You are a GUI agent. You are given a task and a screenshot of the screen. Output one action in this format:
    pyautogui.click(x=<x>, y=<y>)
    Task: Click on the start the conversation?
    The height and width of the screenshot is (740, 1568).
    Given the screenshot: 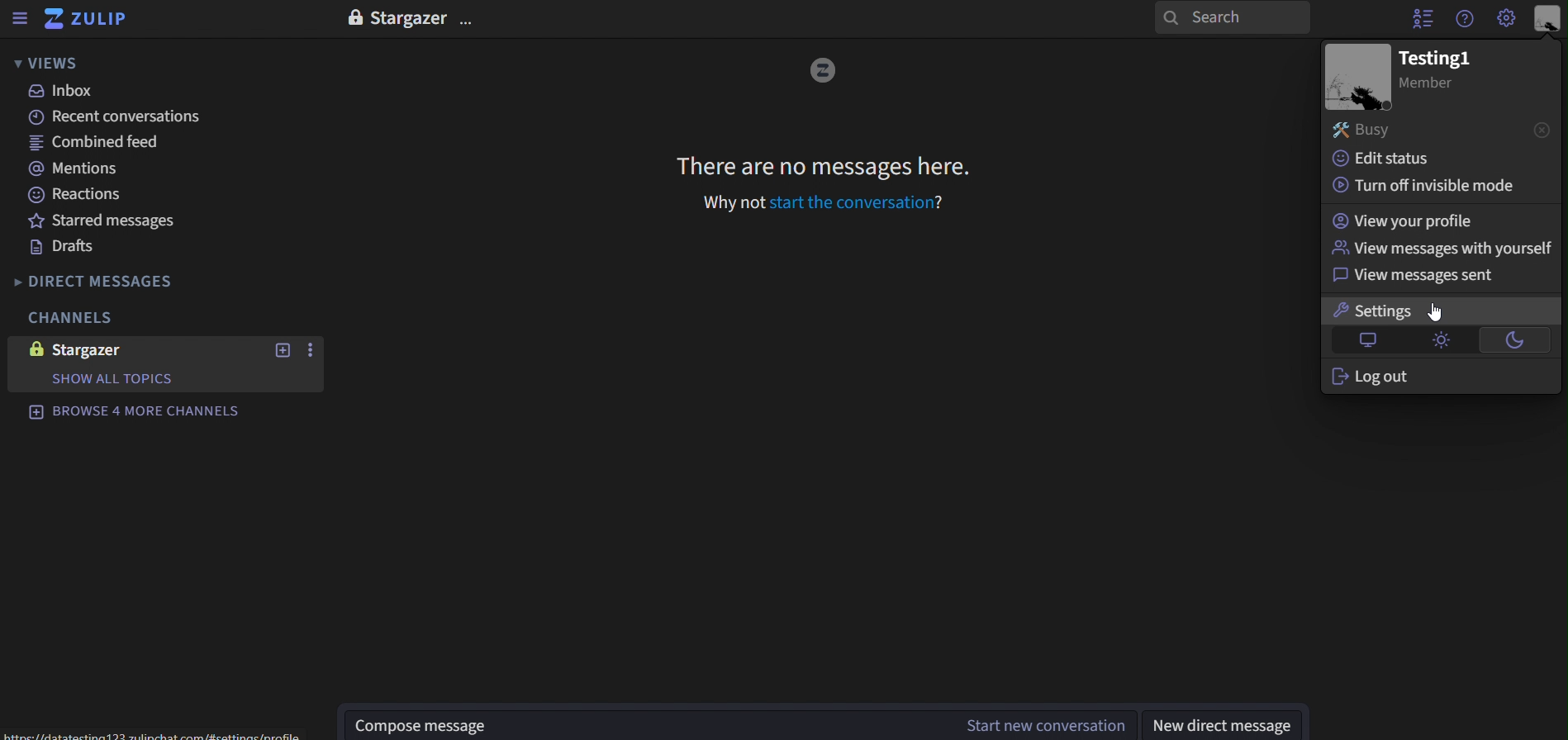 What is the action you would take?
    pyautogui.click(x=860, y=203)
    